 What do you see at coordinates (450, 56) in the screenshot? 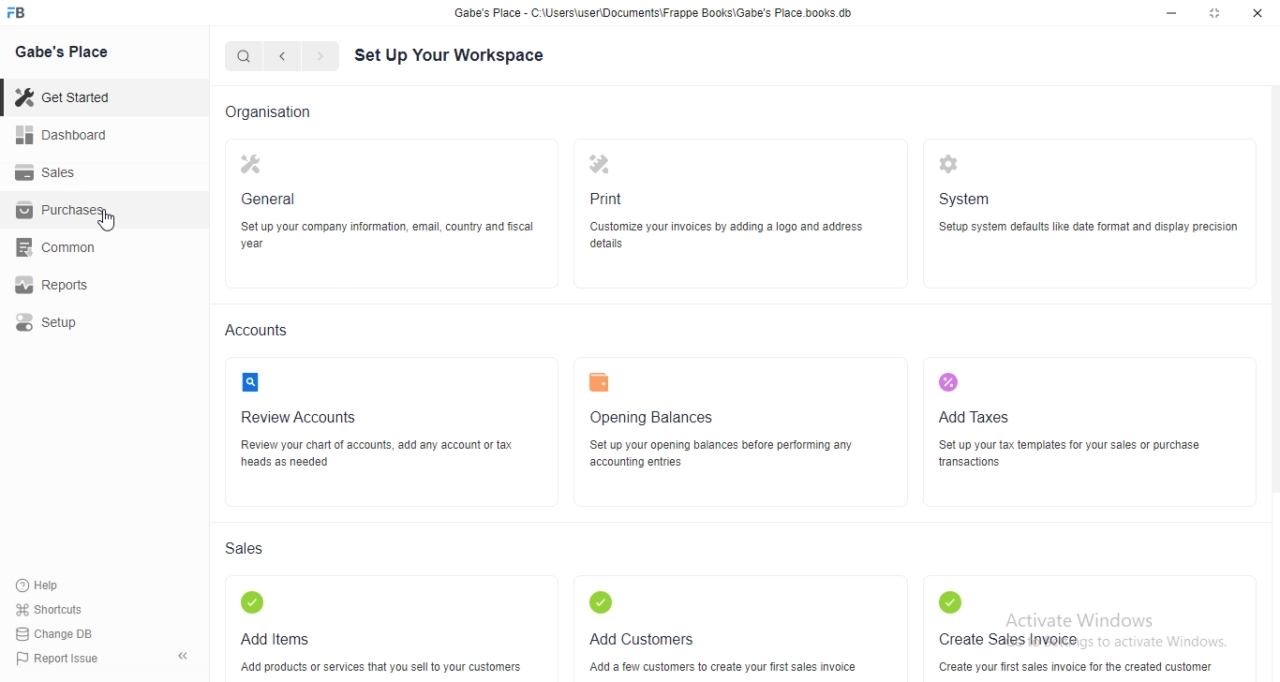
I see `Set Up Your Workspace` at bounding box center [450, 56].